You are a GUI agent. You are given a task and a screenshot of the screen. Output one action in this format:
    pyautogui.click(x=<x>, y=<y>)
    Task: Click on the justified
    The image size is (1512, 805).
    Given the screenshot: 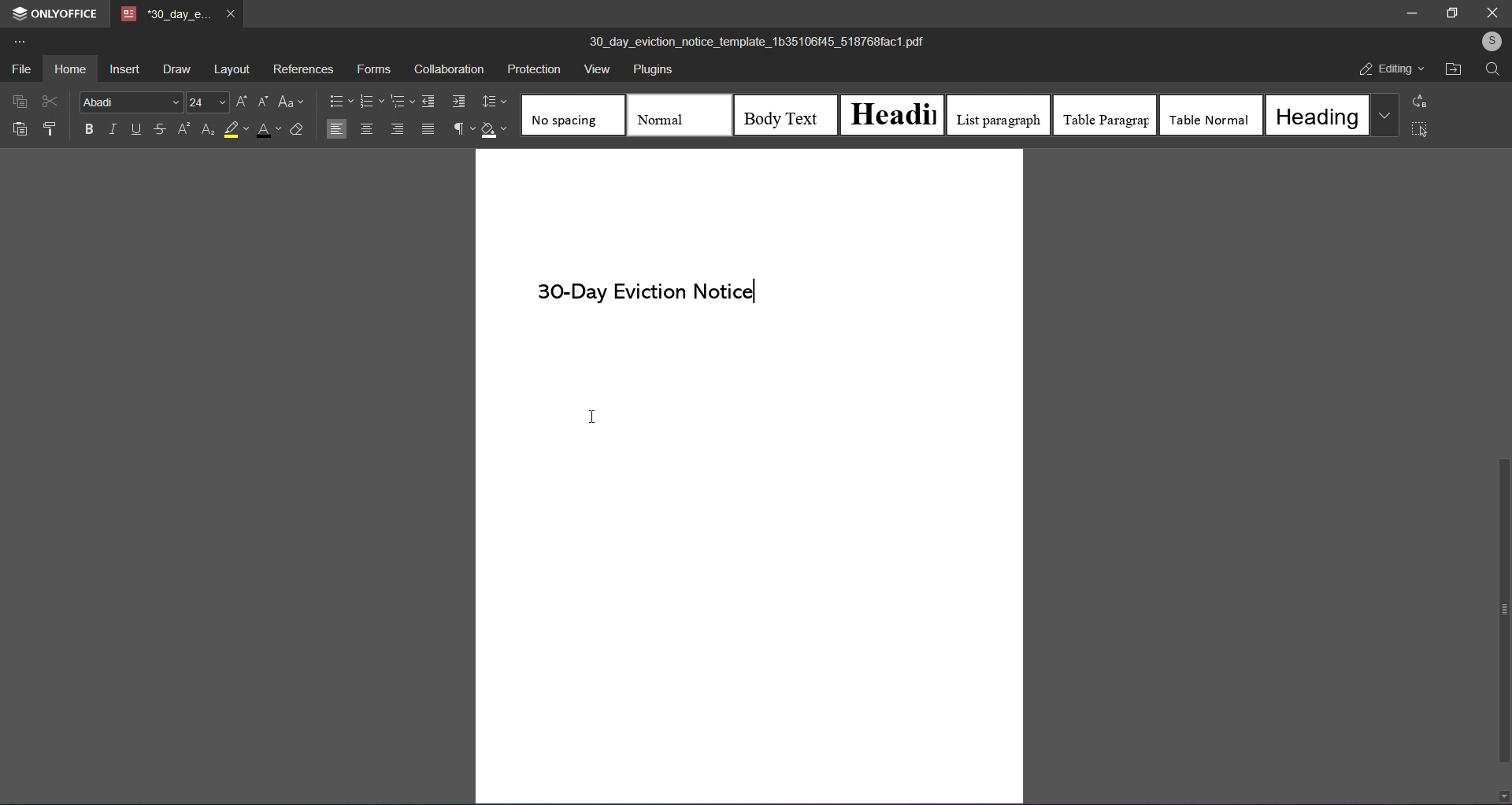 What is the action you would take?
    pyautogui.click(x=428, y=128)
    